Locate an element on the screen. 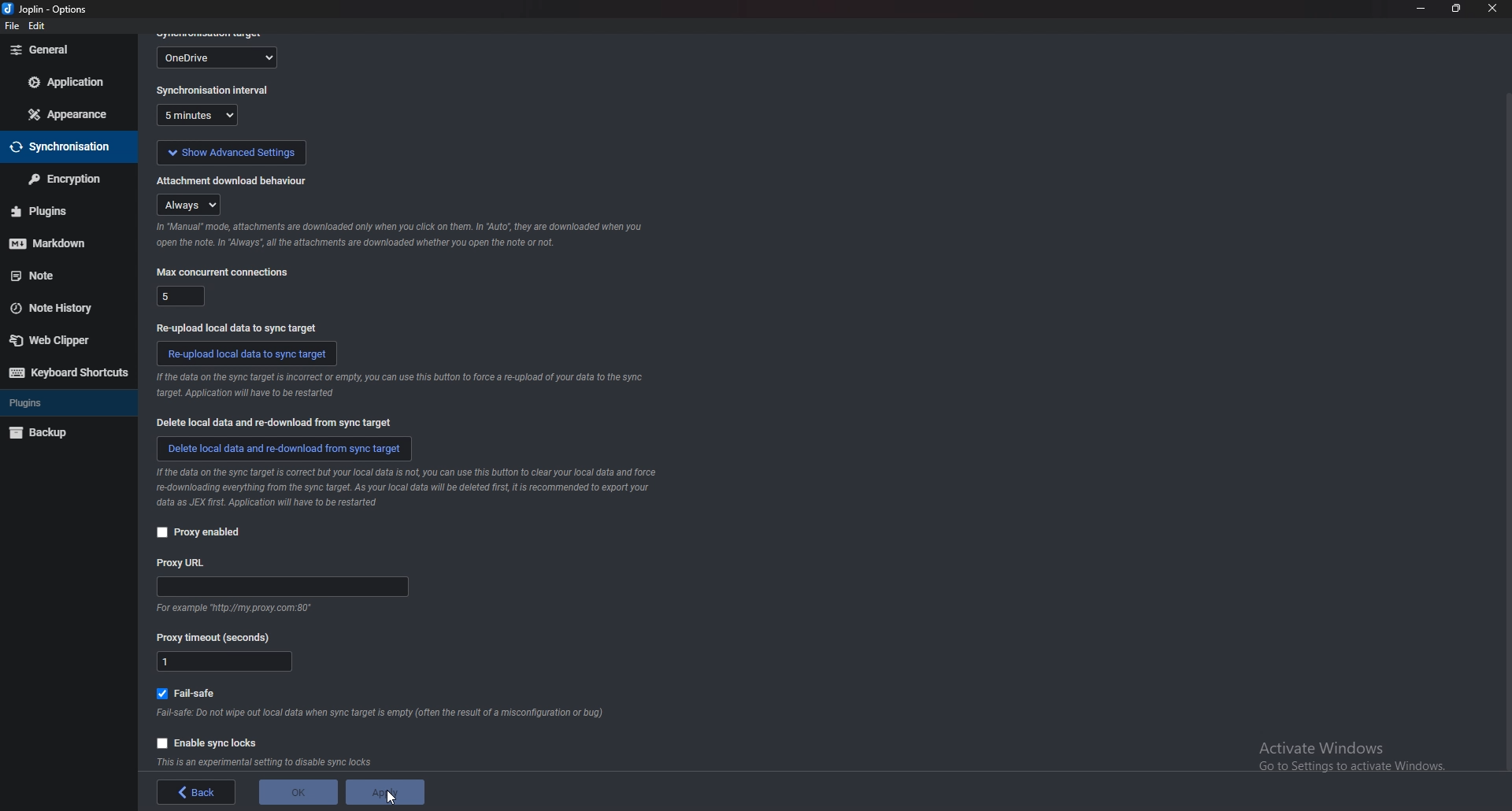  show advanced settings is located at coordinates (230, 150).